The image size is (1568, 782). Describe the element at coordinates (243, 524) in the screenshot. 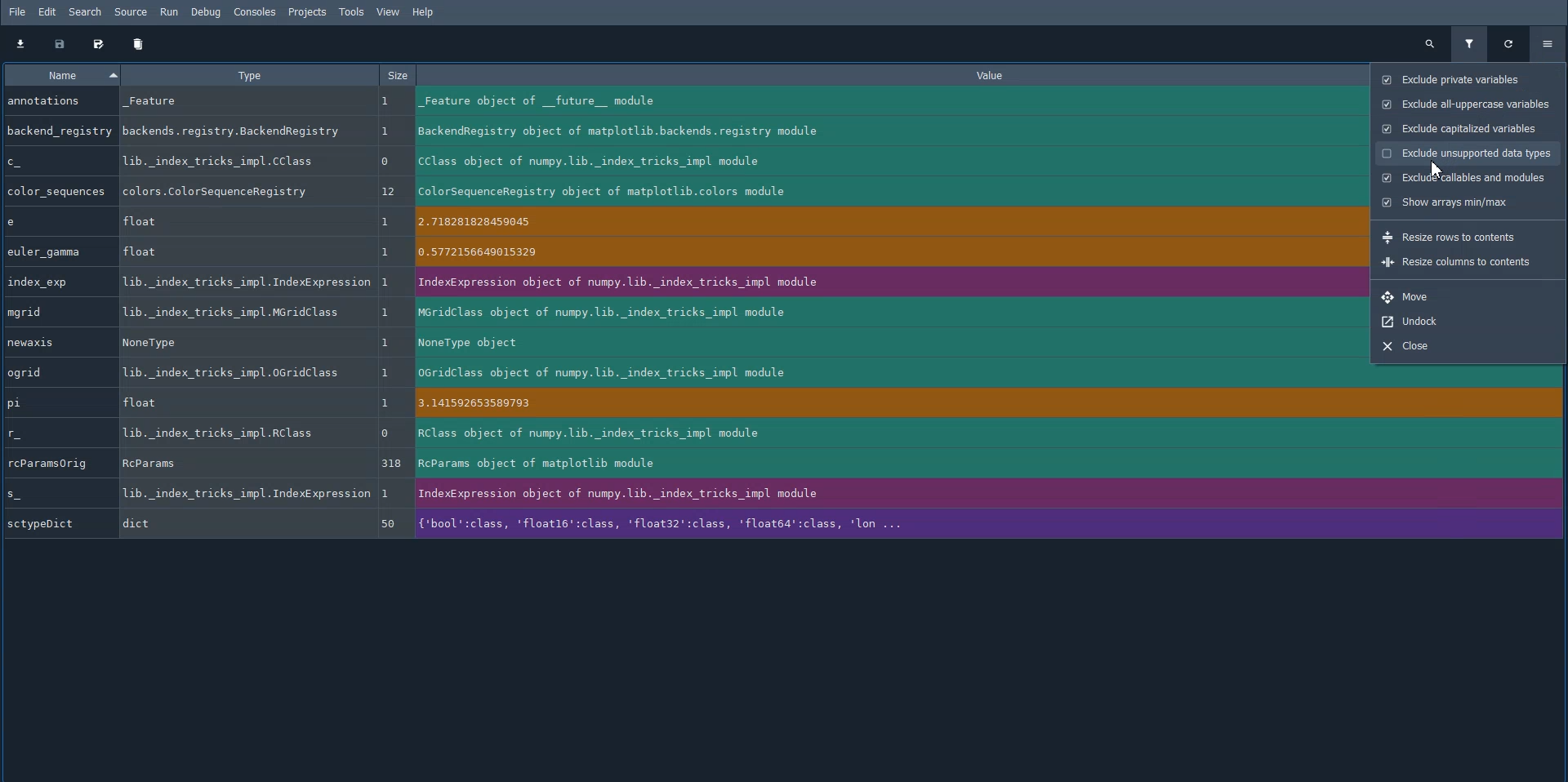

I see `dict` at that location.